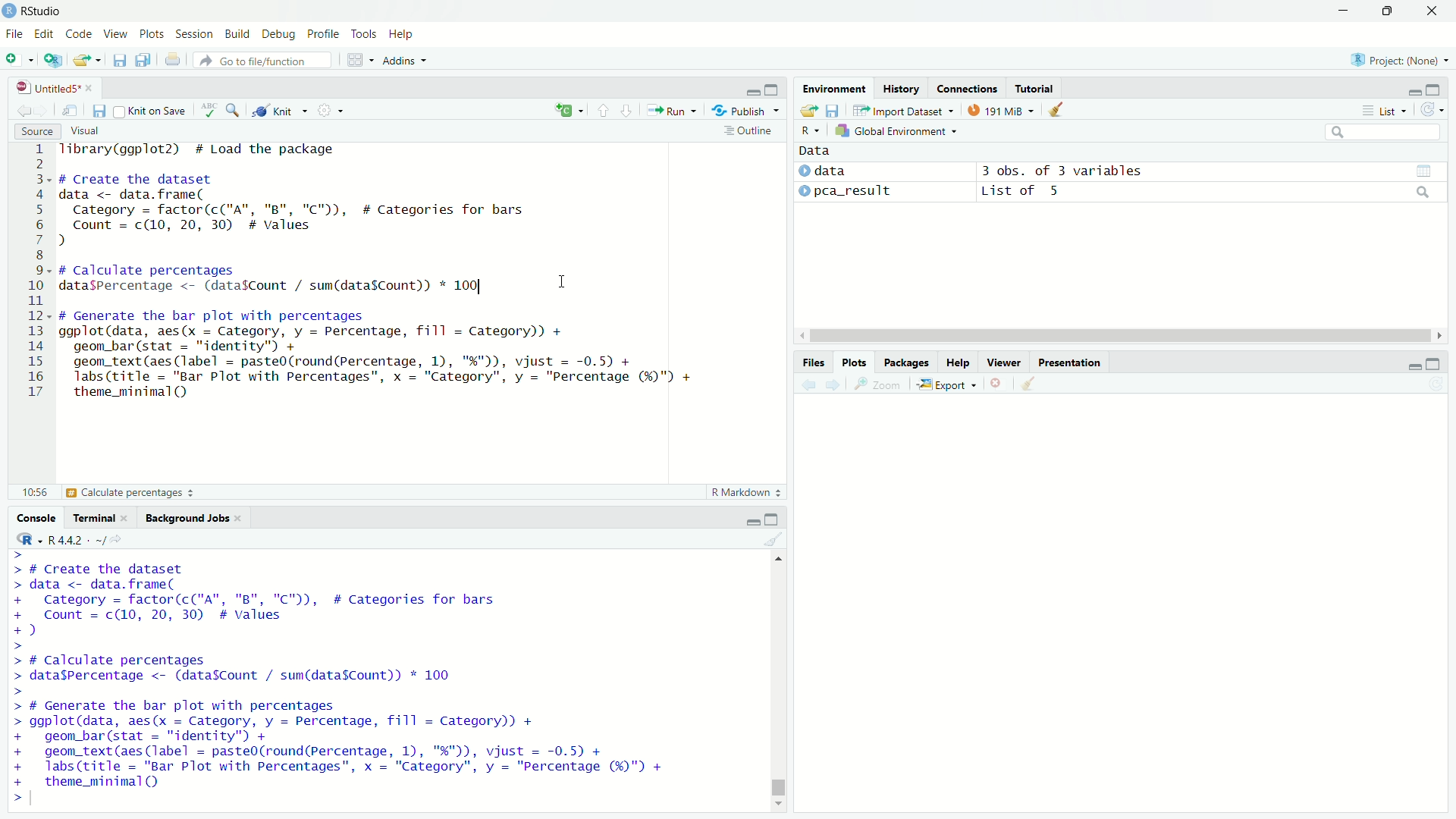 This screenshot has height=819, width=1456. I want to click on File, so click(15, 35).